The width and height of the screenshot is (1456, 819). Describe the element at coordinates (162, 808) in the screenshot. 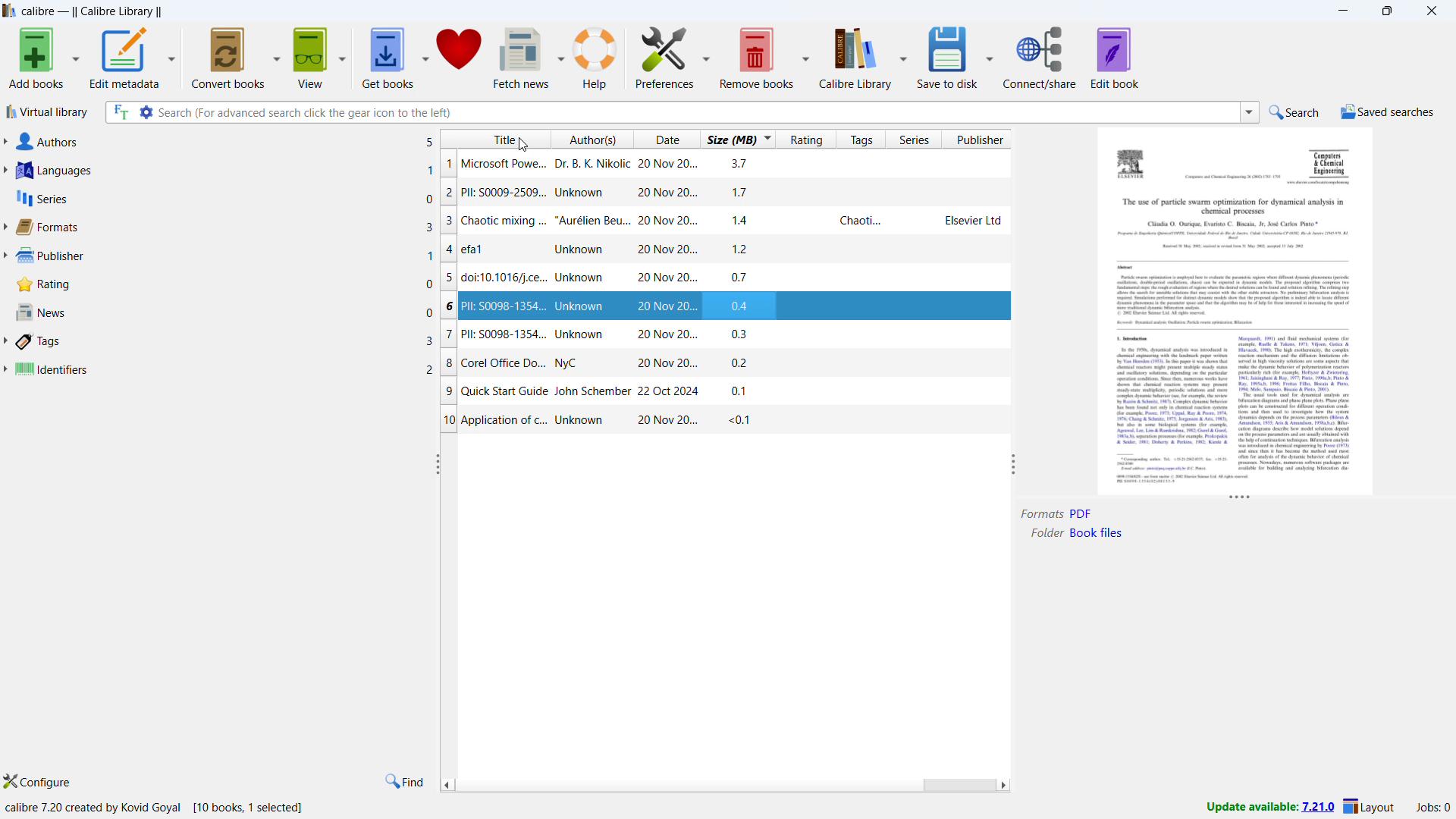

I see `calibre 7.20 created by Kovid Goyal [10 books, 1 selected]` at that location.